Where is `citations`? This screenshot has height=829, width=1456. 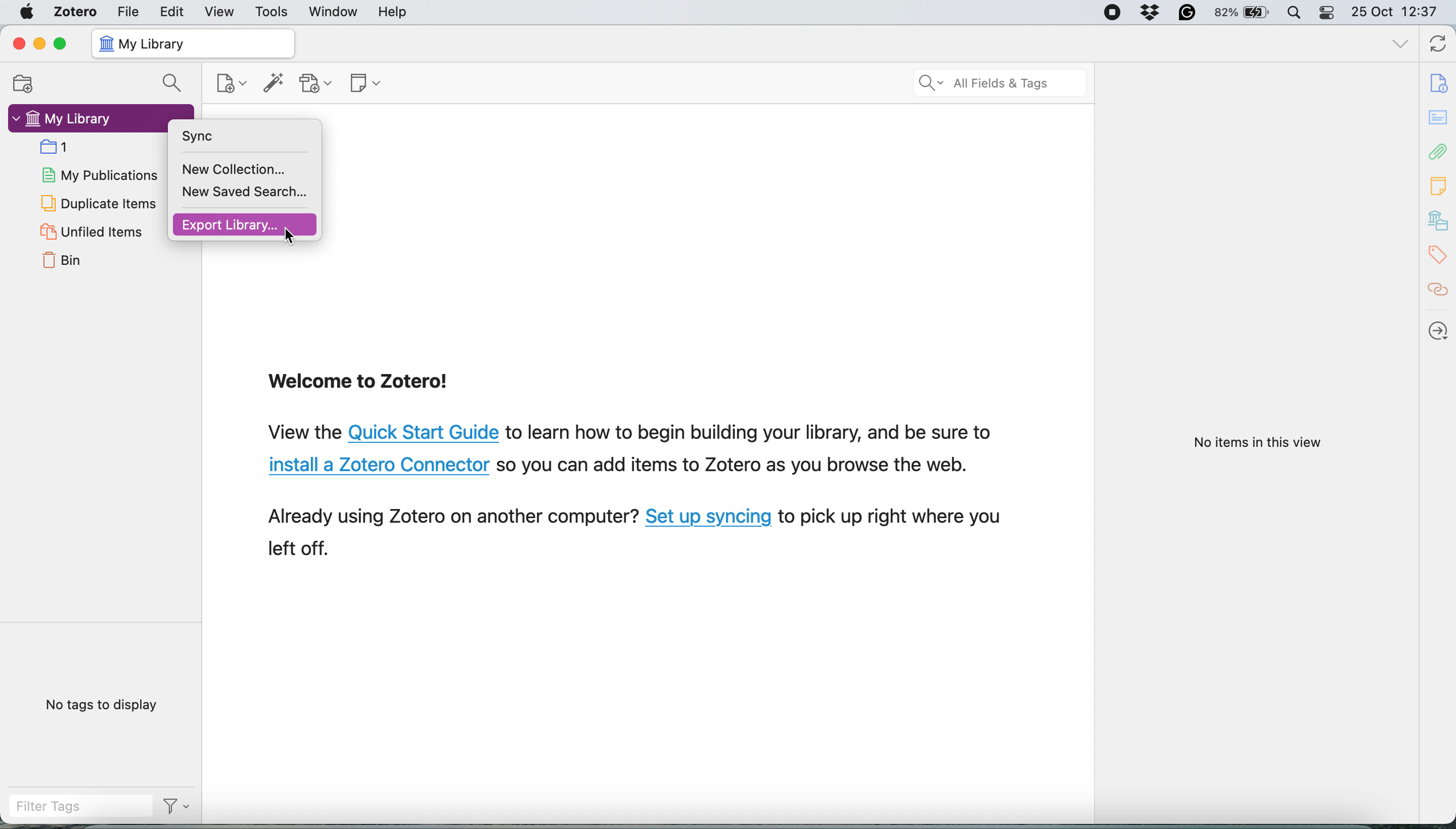
citations is located at coordinates (1441, 292).